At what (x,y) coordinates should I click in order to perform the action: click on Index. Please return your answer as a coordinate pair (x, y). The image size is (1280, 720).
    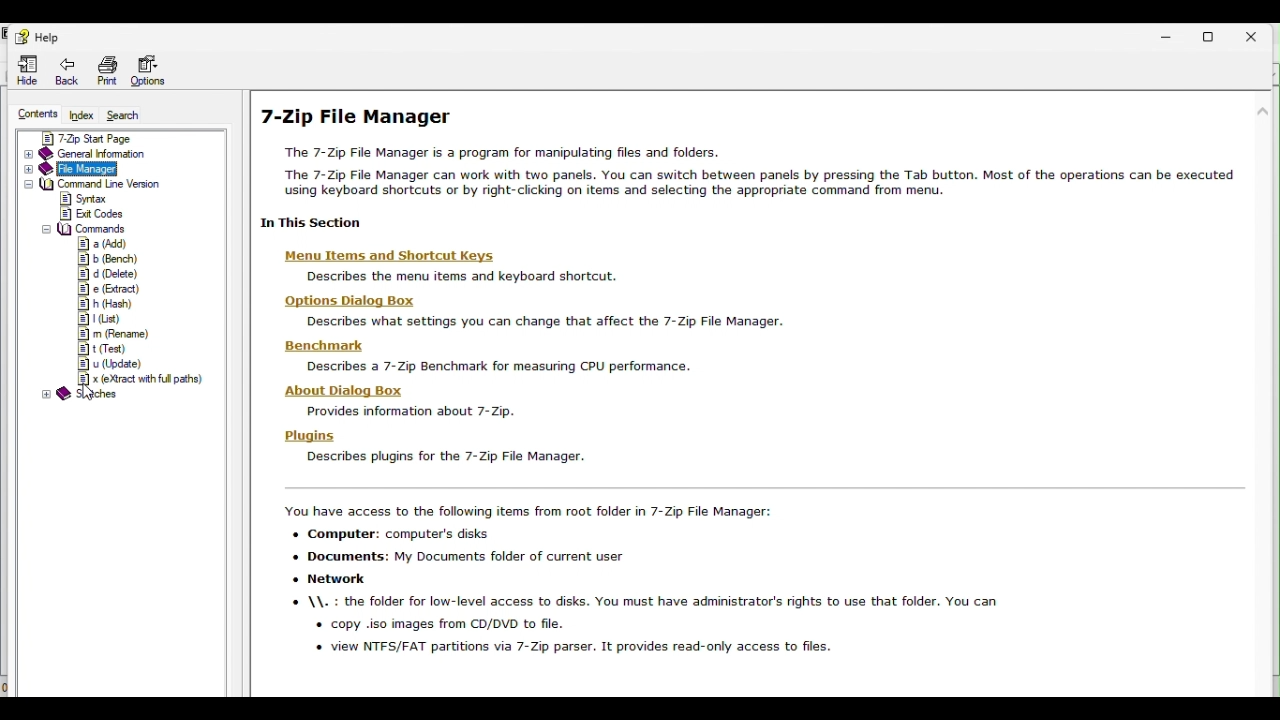
    Looking at the image, I should click on (82, 116).